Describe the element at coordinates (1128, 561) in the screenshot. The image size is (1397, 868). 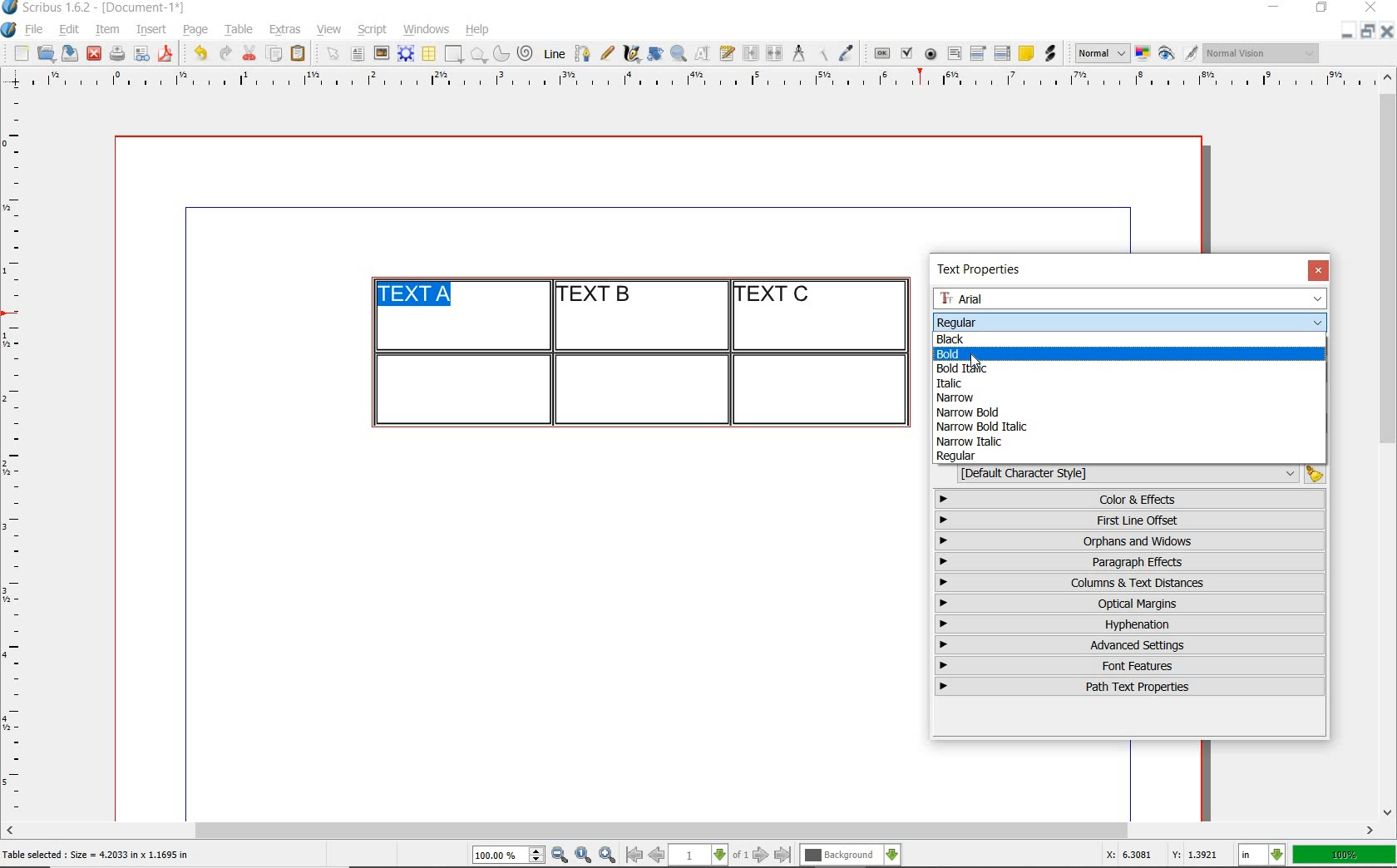
I see `paragraph effects` at that location.